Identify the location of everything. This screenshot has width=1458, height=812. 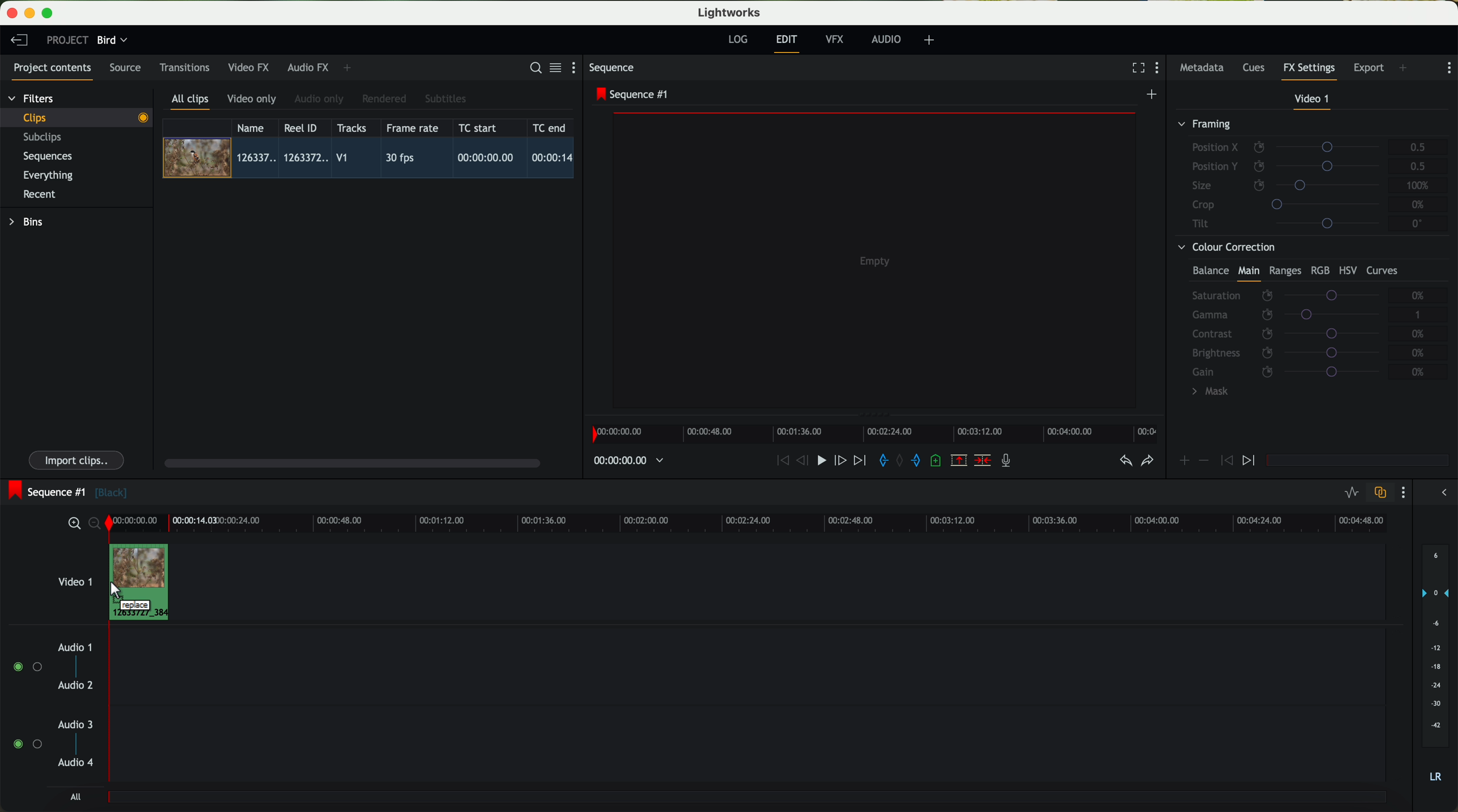
(49, 175).